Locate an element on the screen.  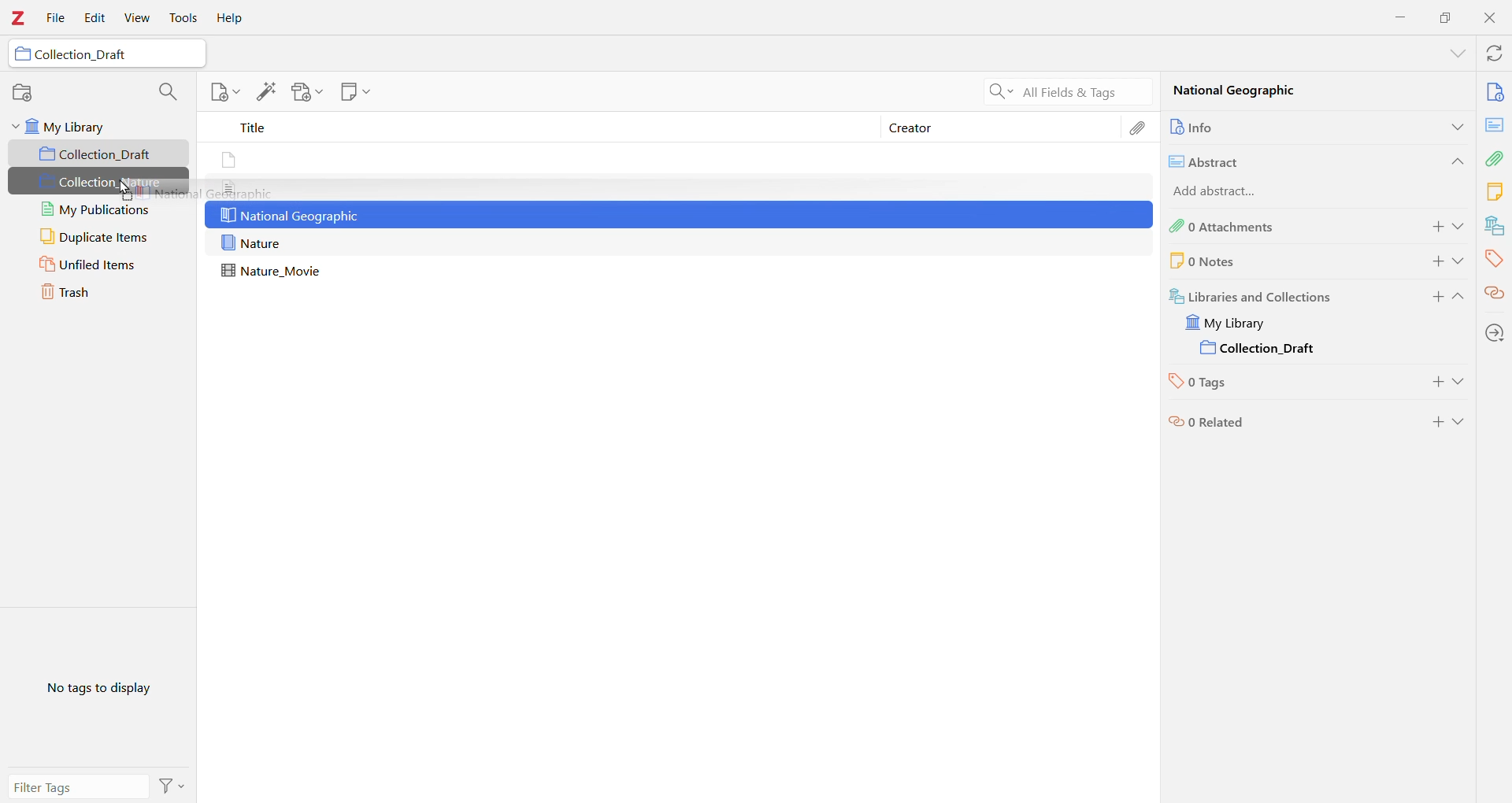
National Geographic is located at coordinates (290, 216).